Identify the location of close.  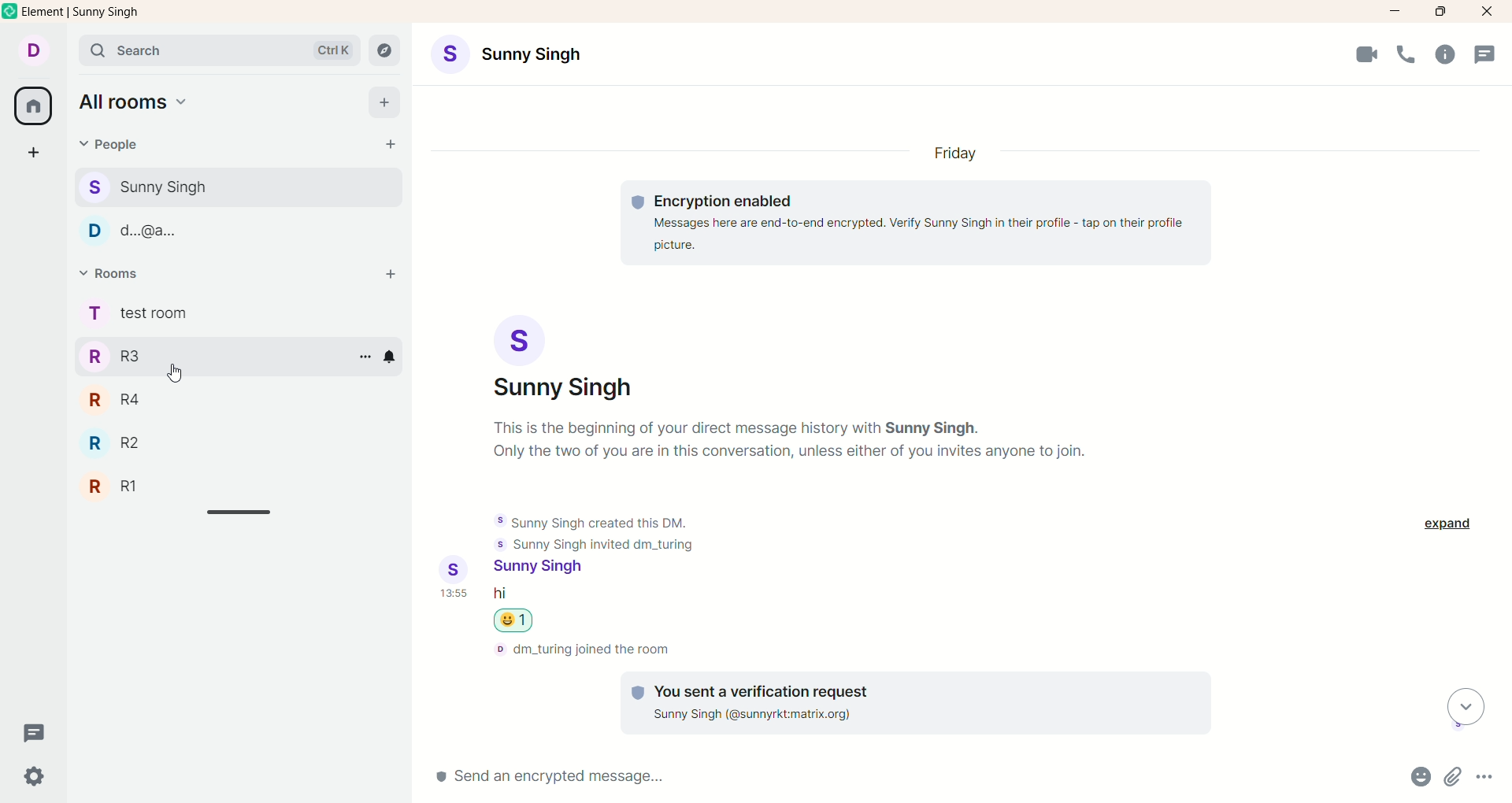
(1489, 12).